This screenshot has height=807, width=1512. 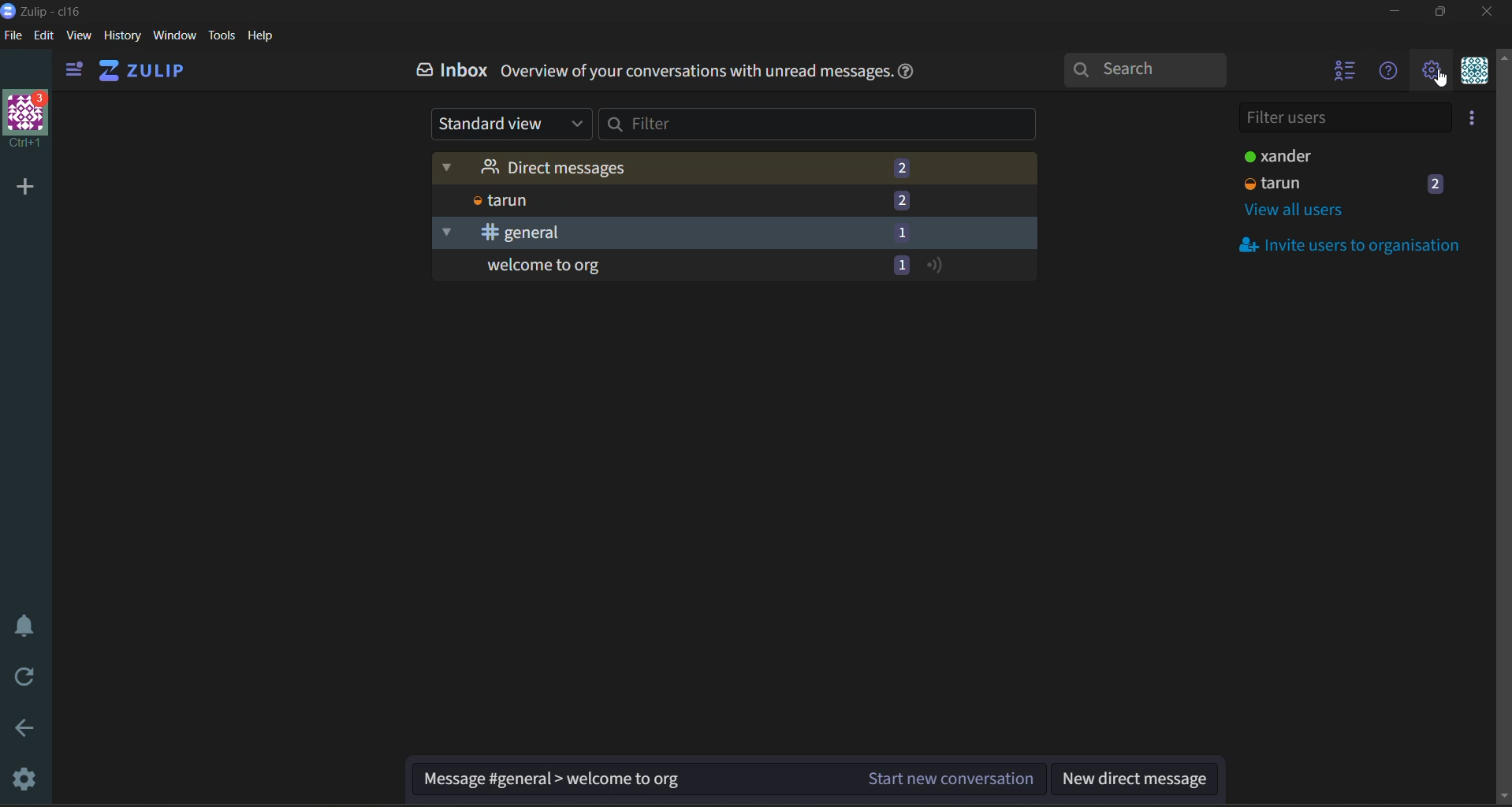 I want to click on enable do not disturb, so click(x=22, y=623).